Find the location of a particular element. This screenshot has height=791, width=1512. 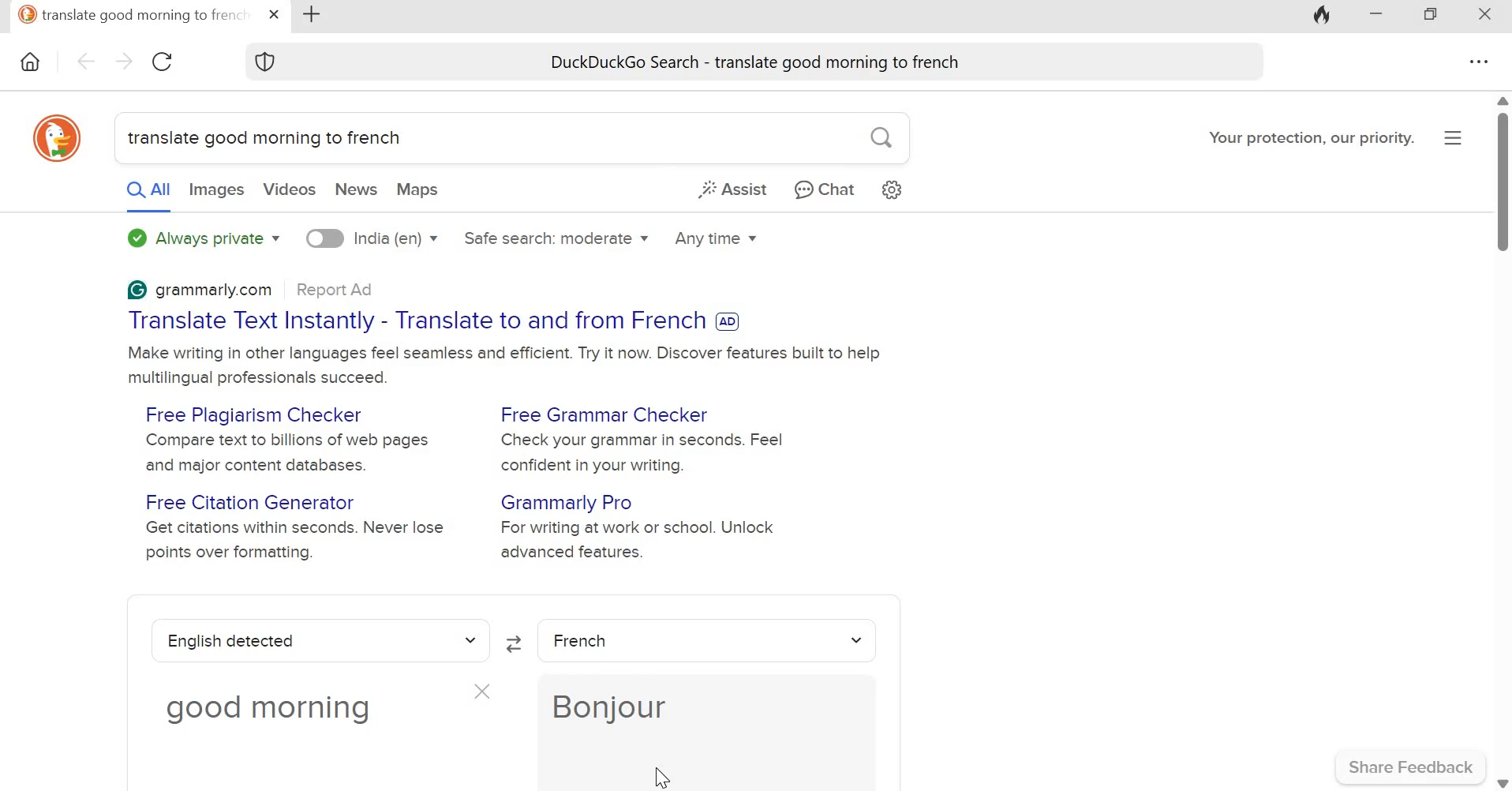

close is located at coordinates (272, 13).